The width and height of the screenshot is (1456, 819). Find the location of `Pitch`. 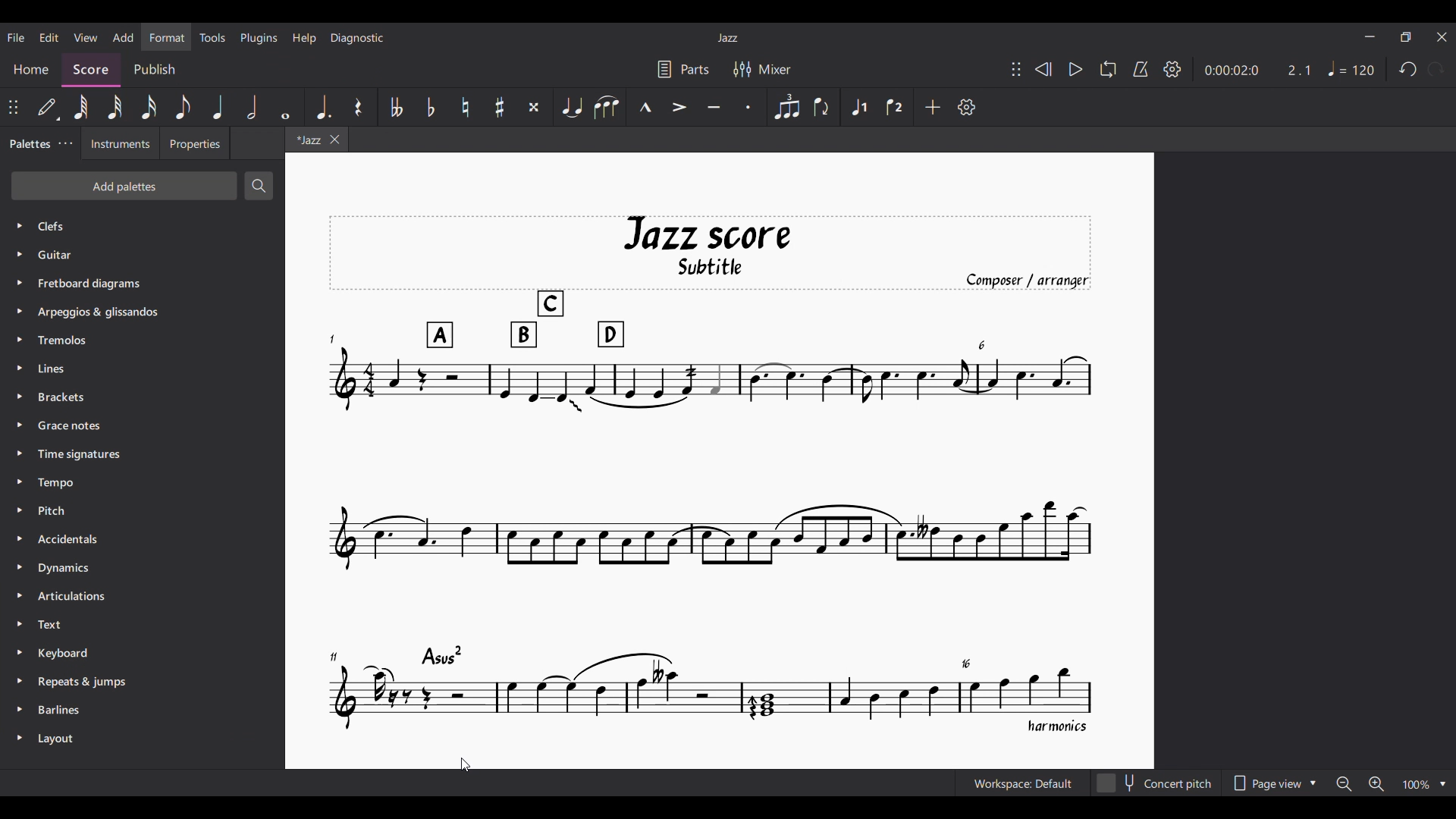

Pitch is located at coordinates (55, 510).